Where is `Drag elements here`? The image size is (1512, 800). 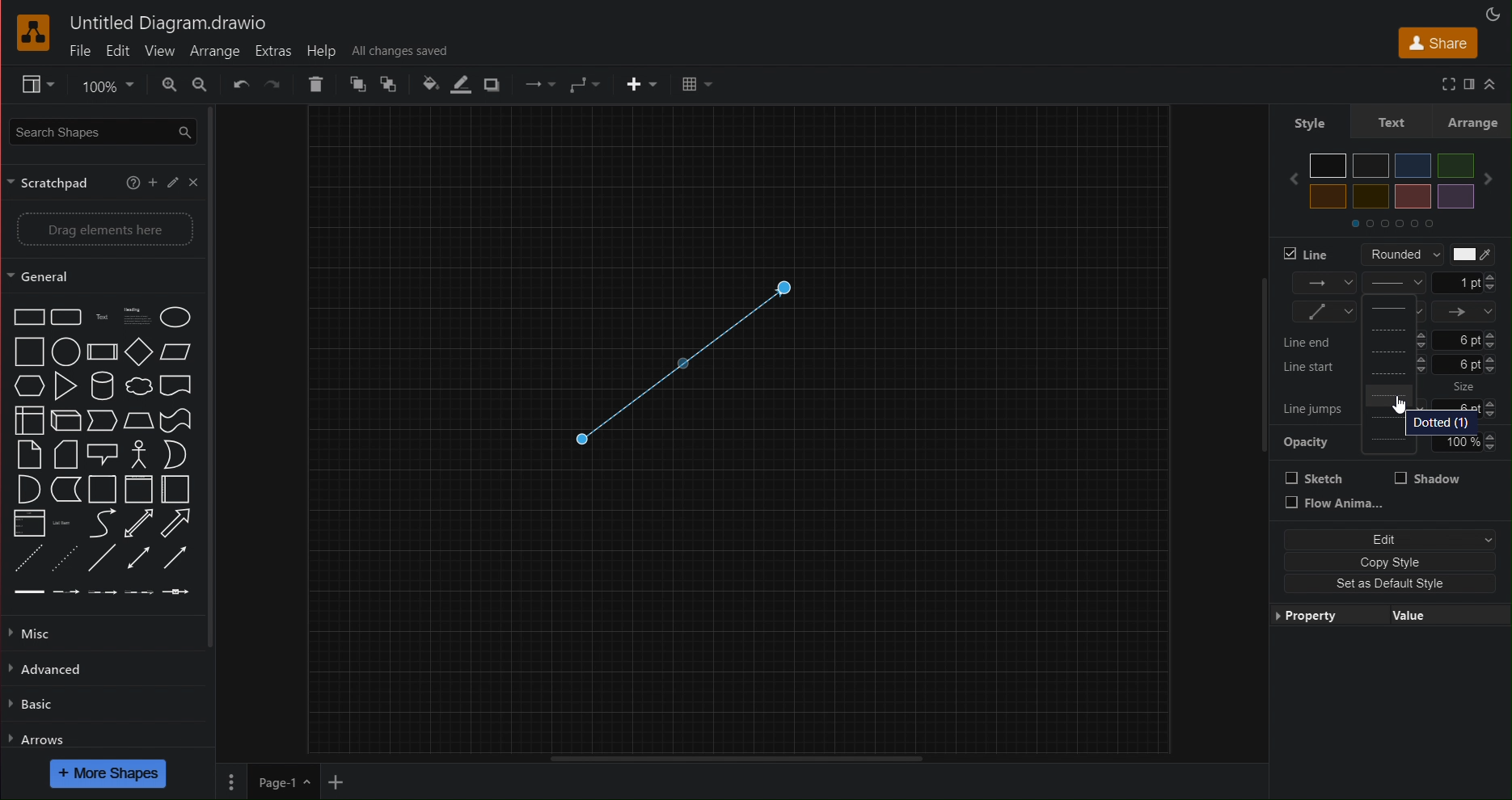
Drag elements here is located at coordinates (103, 230).